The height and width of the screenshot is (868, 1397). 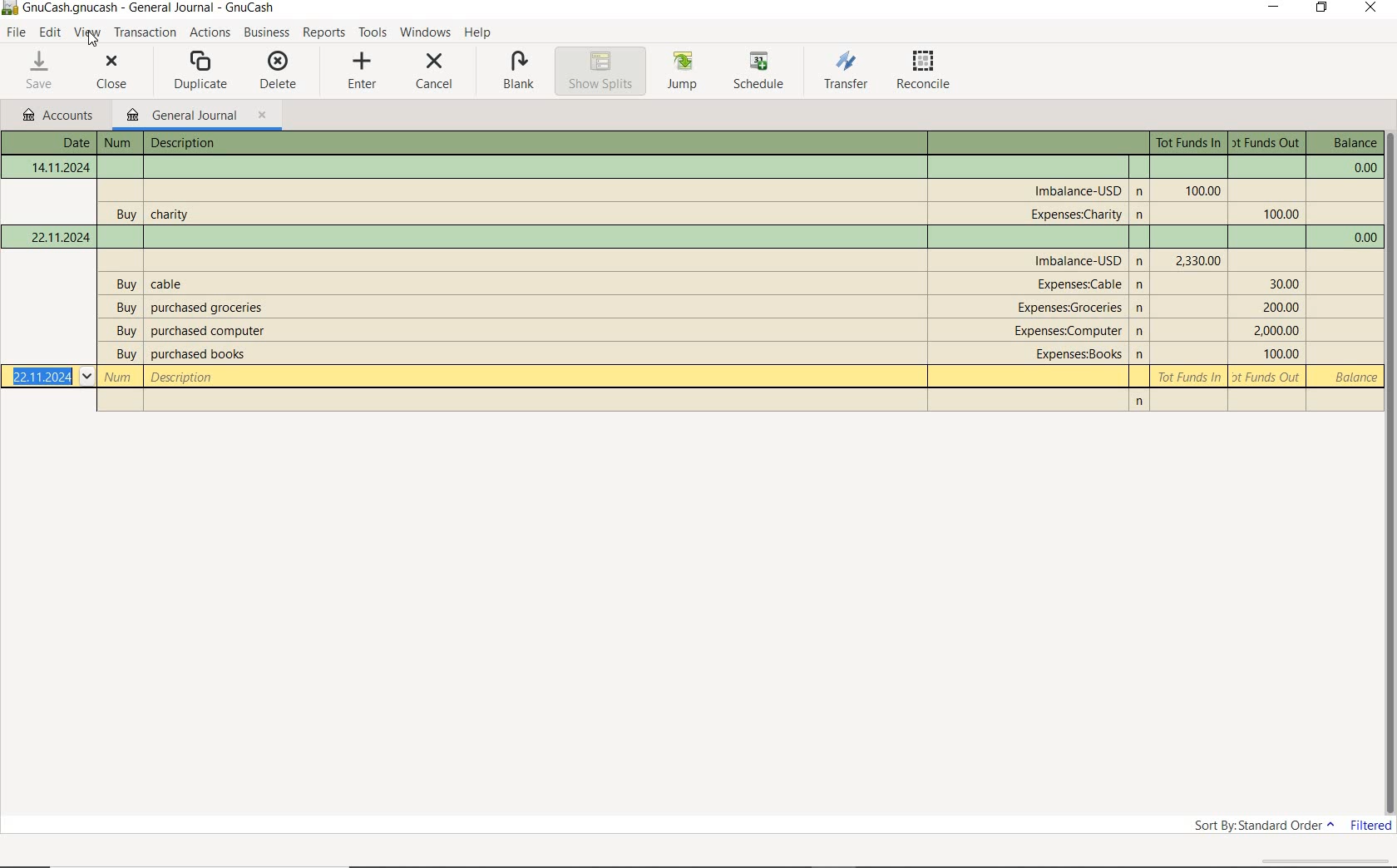 What do you see at coordinates (213, 308) in the screenshot?
I see `description` at bounding box center [213, 308].